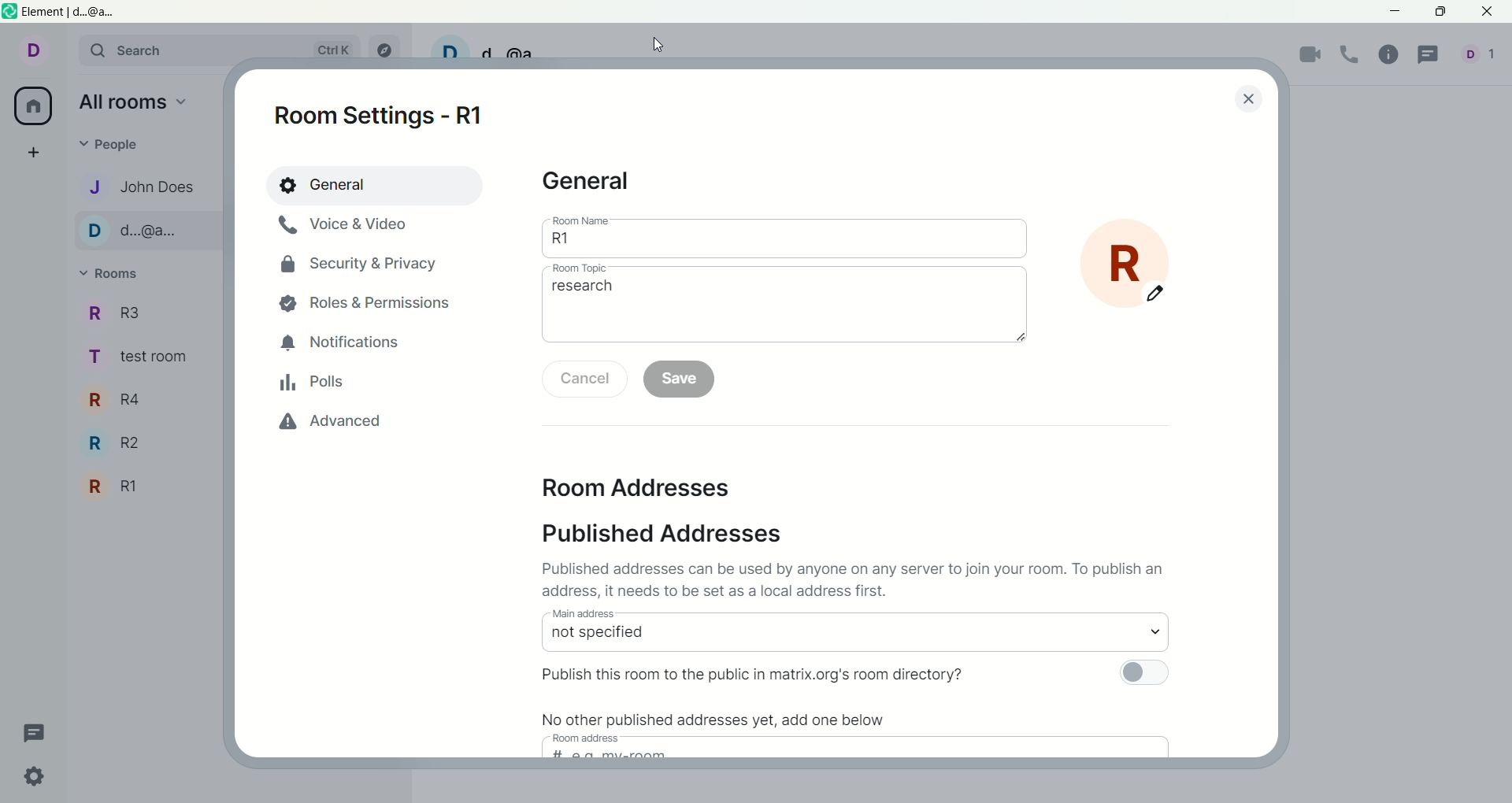 This screenshot has height=803, width=1512. I want to click on d d..@a, so click(148, 230).